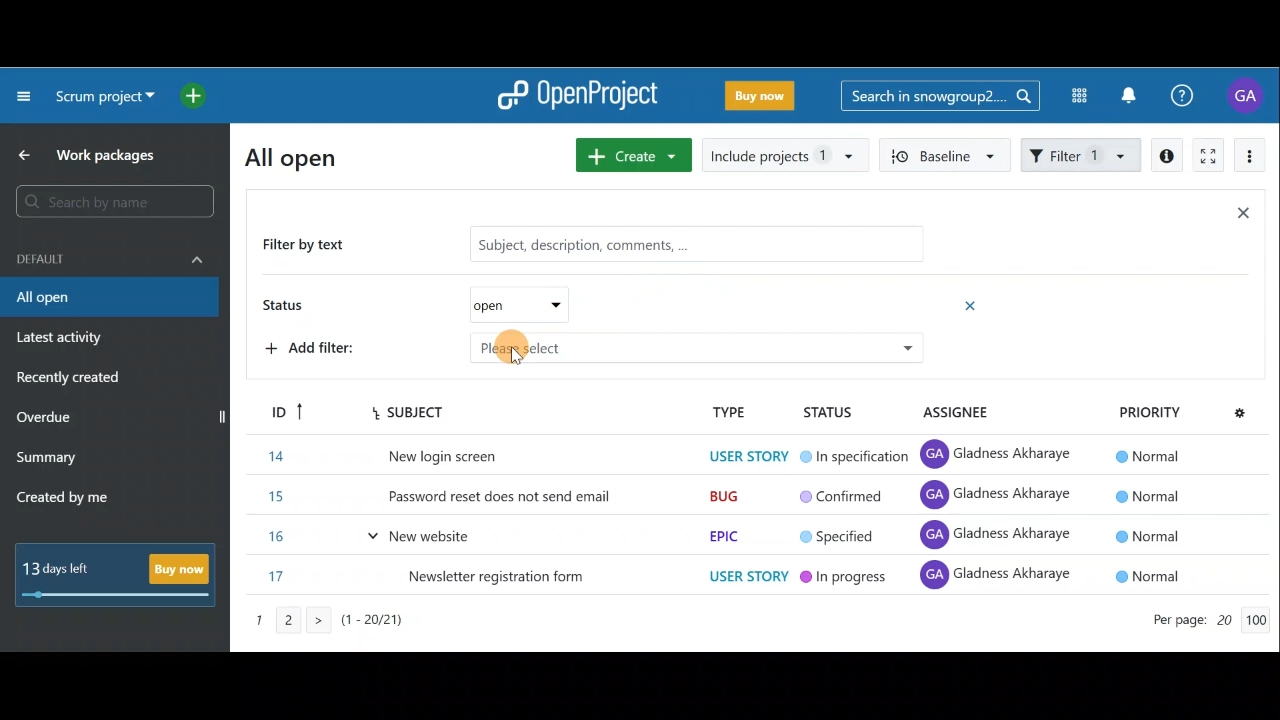  What do you see at coordinates (25, 95) in the screenshot?
I see `Collapse project menu` at bounding box center [25, 95].